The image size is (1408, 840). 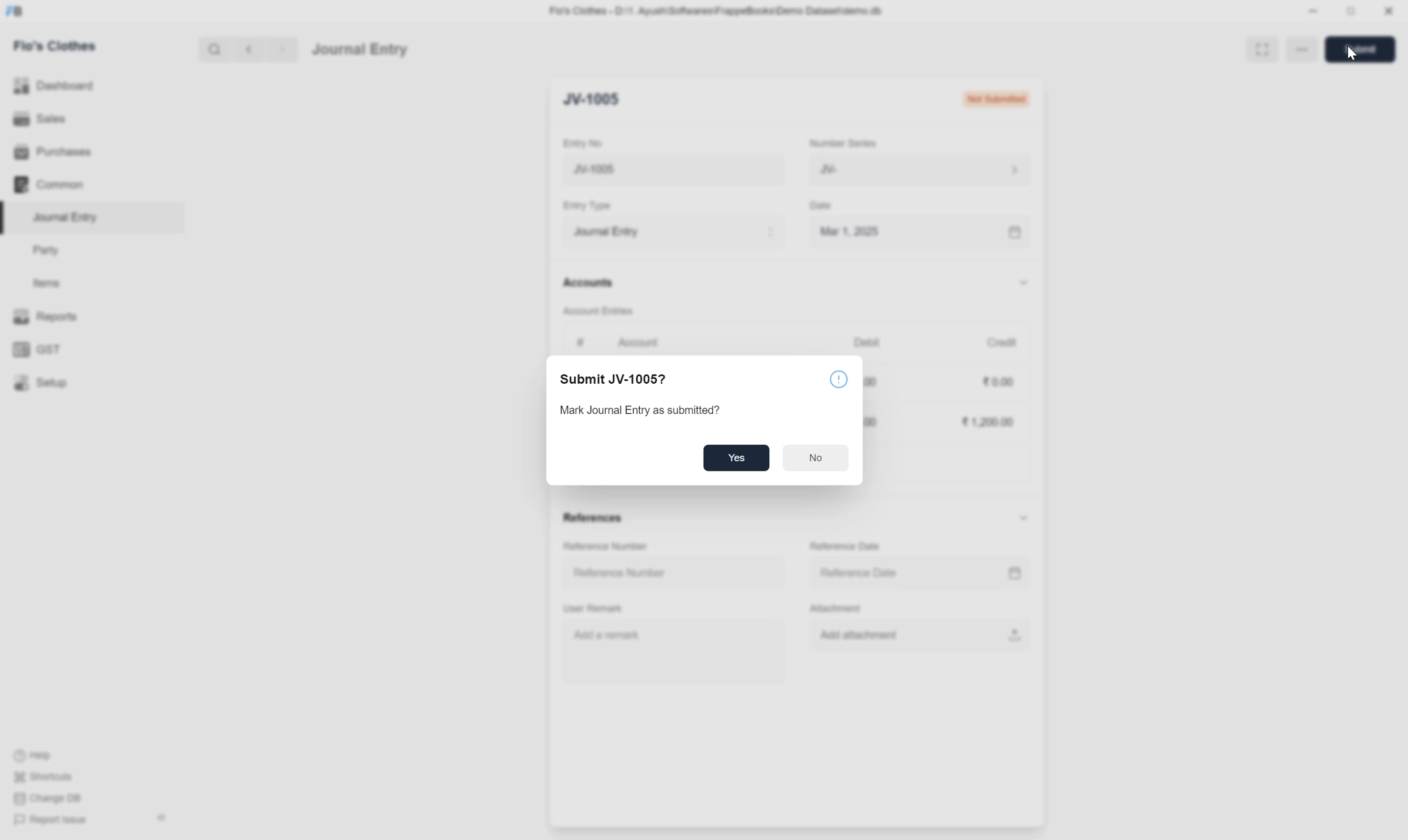 I want to click on Sales, so click(x=39, y=117).